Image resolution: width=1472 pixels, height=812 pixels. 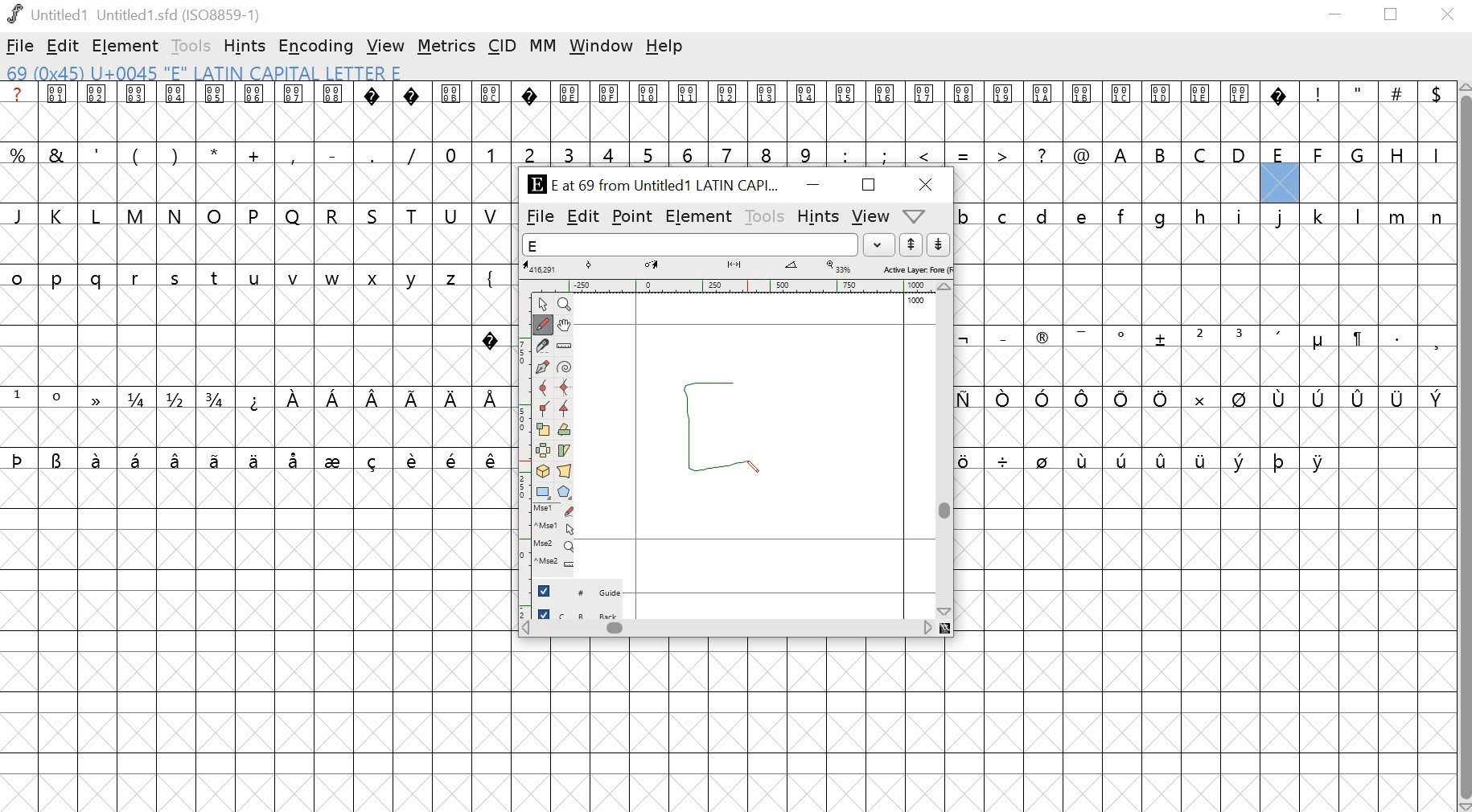 What do you see at coordinates (917, 301) in the screenshot?
I see `1000` at bounding box center [917, 301].